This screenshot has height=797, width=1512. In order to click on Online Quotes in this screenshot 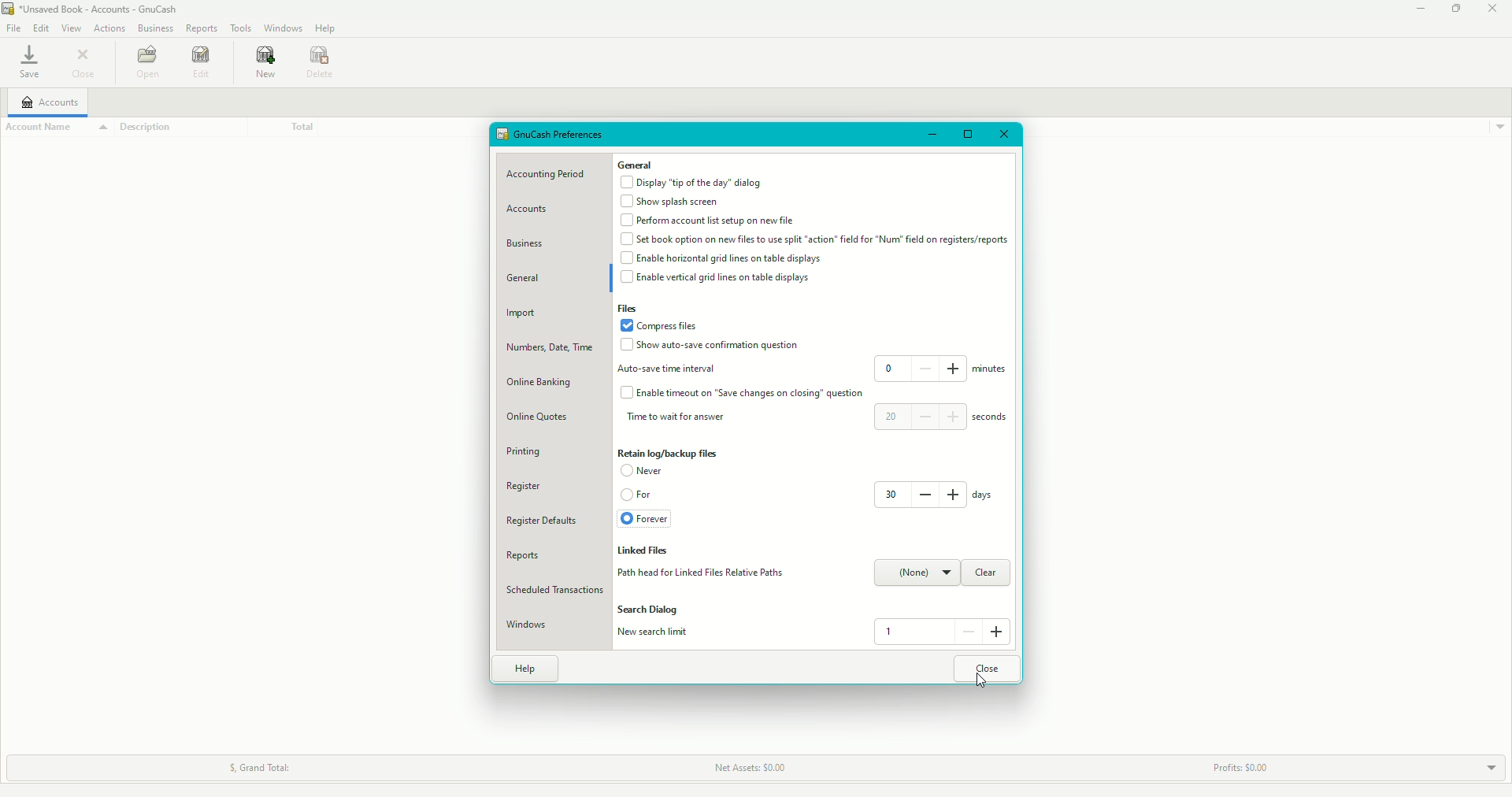, I will do `click(542, 418)`.